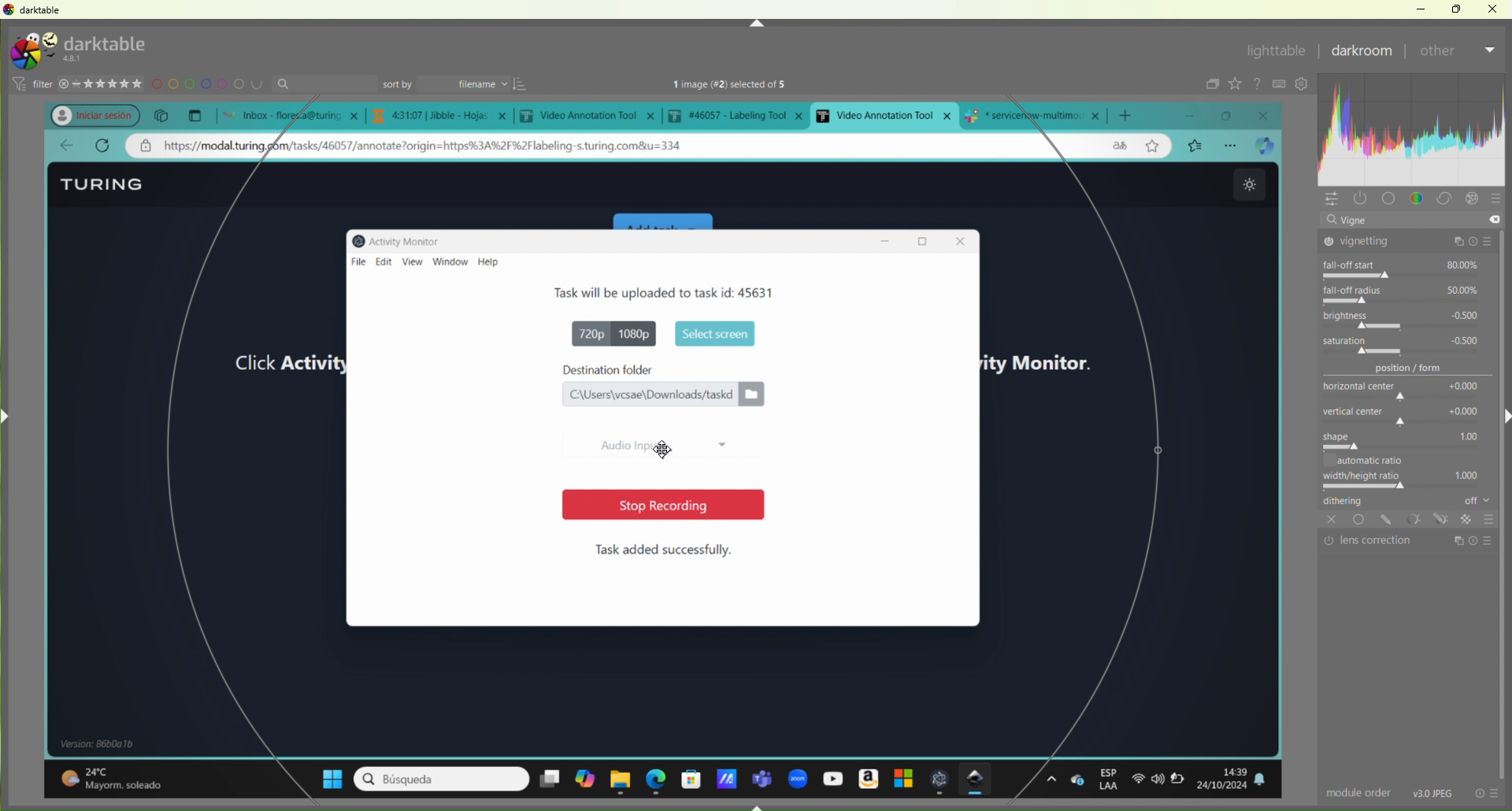  I want to click on start screen, so click(712, 332).